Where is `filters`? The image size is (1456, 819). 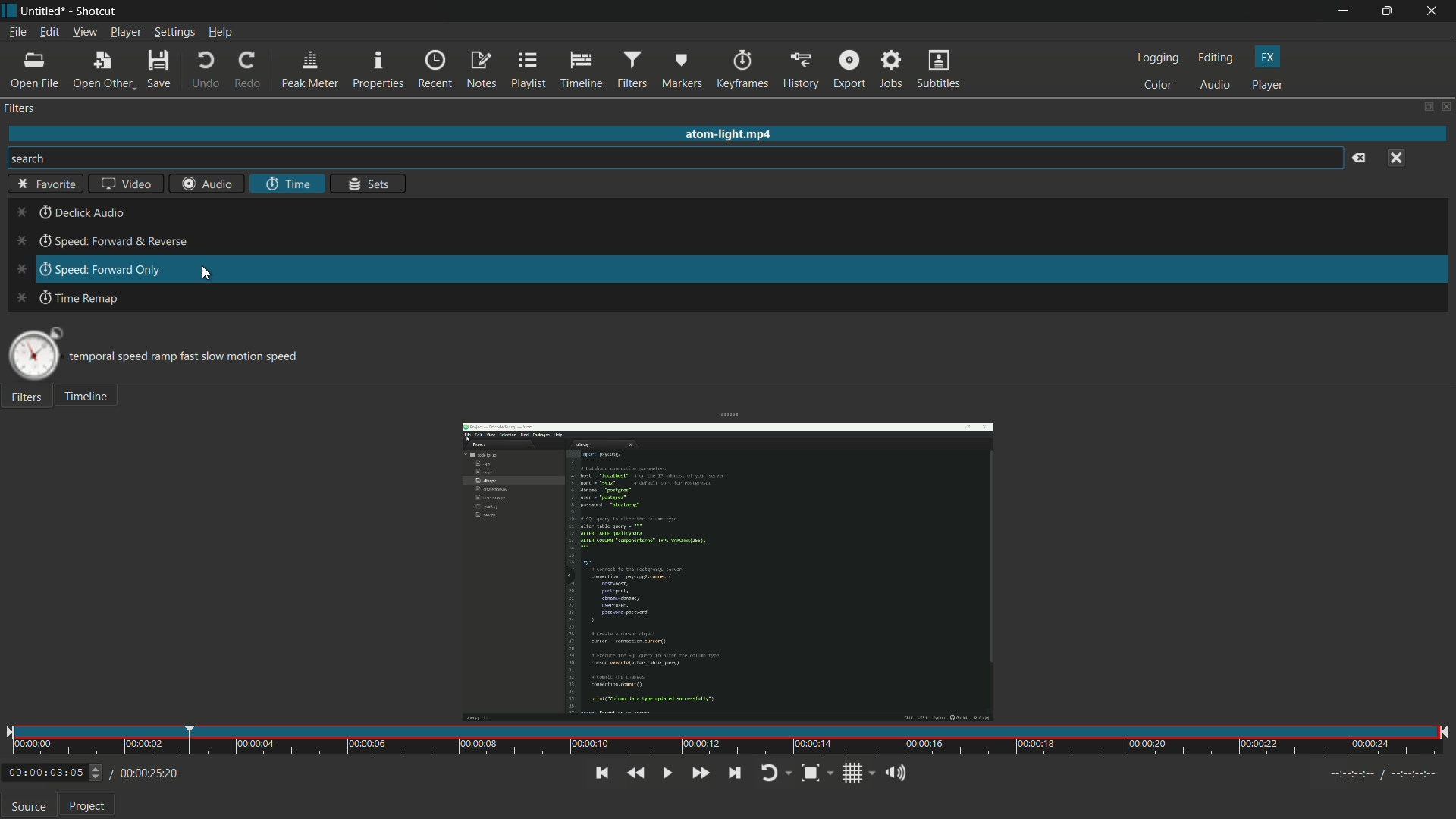
filters is located at coordinates (21, 108).